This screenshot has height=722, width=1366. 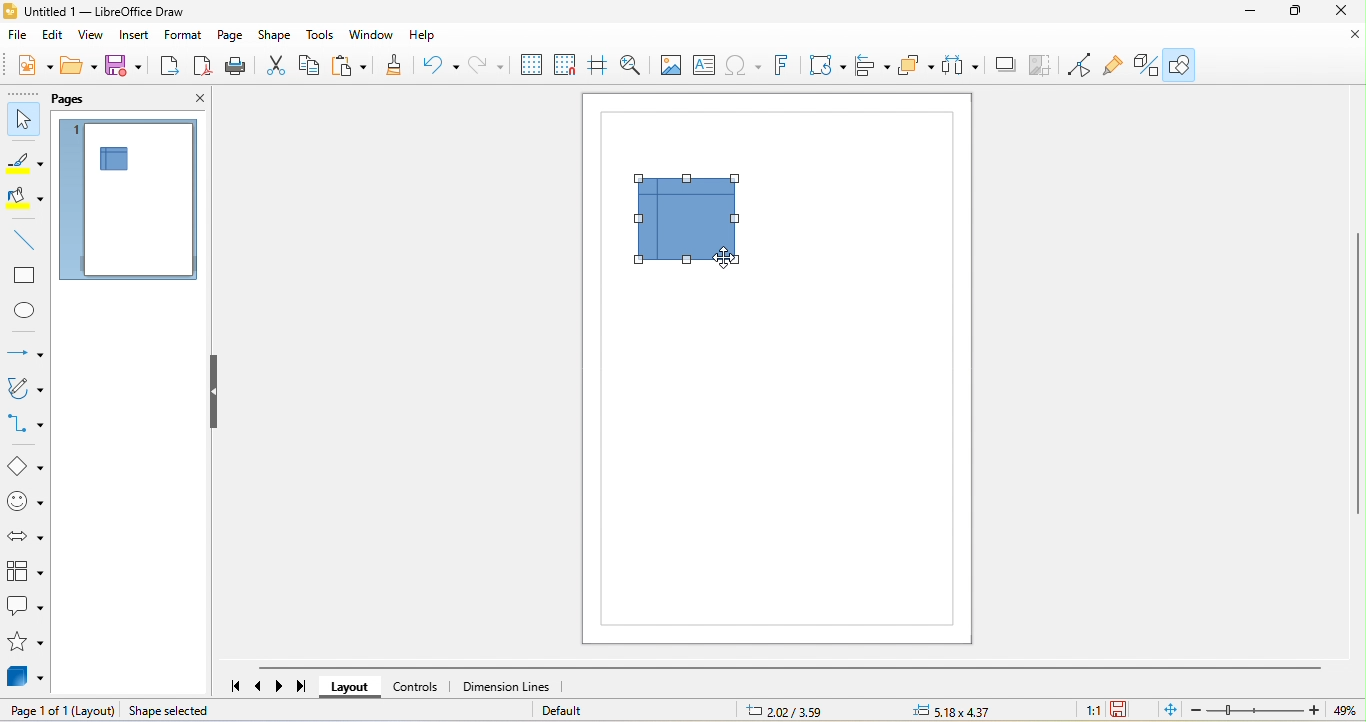 What do you see at coordinates (689, 225) in the screenshot?
I see `flowchart appeared` at bounding box center [689, 225].